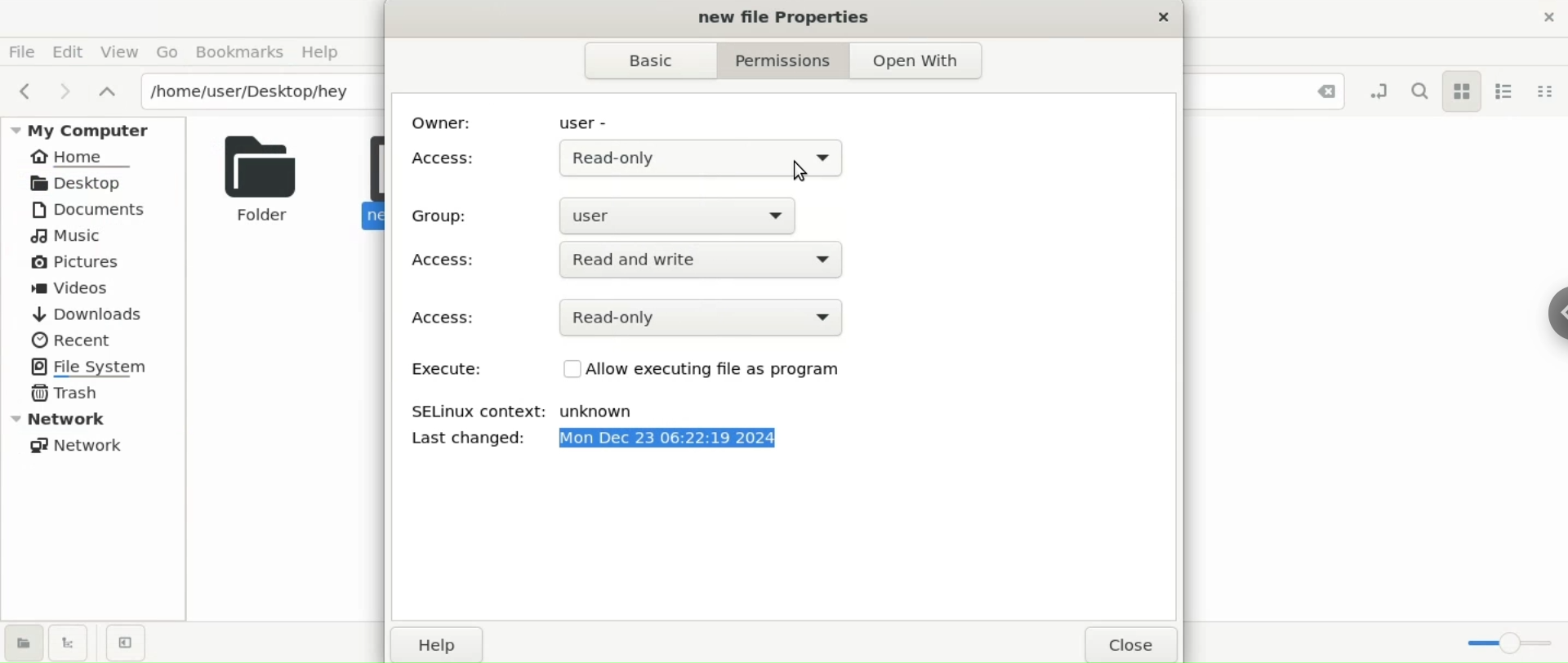  I want to click on Network, so click(82, 445).